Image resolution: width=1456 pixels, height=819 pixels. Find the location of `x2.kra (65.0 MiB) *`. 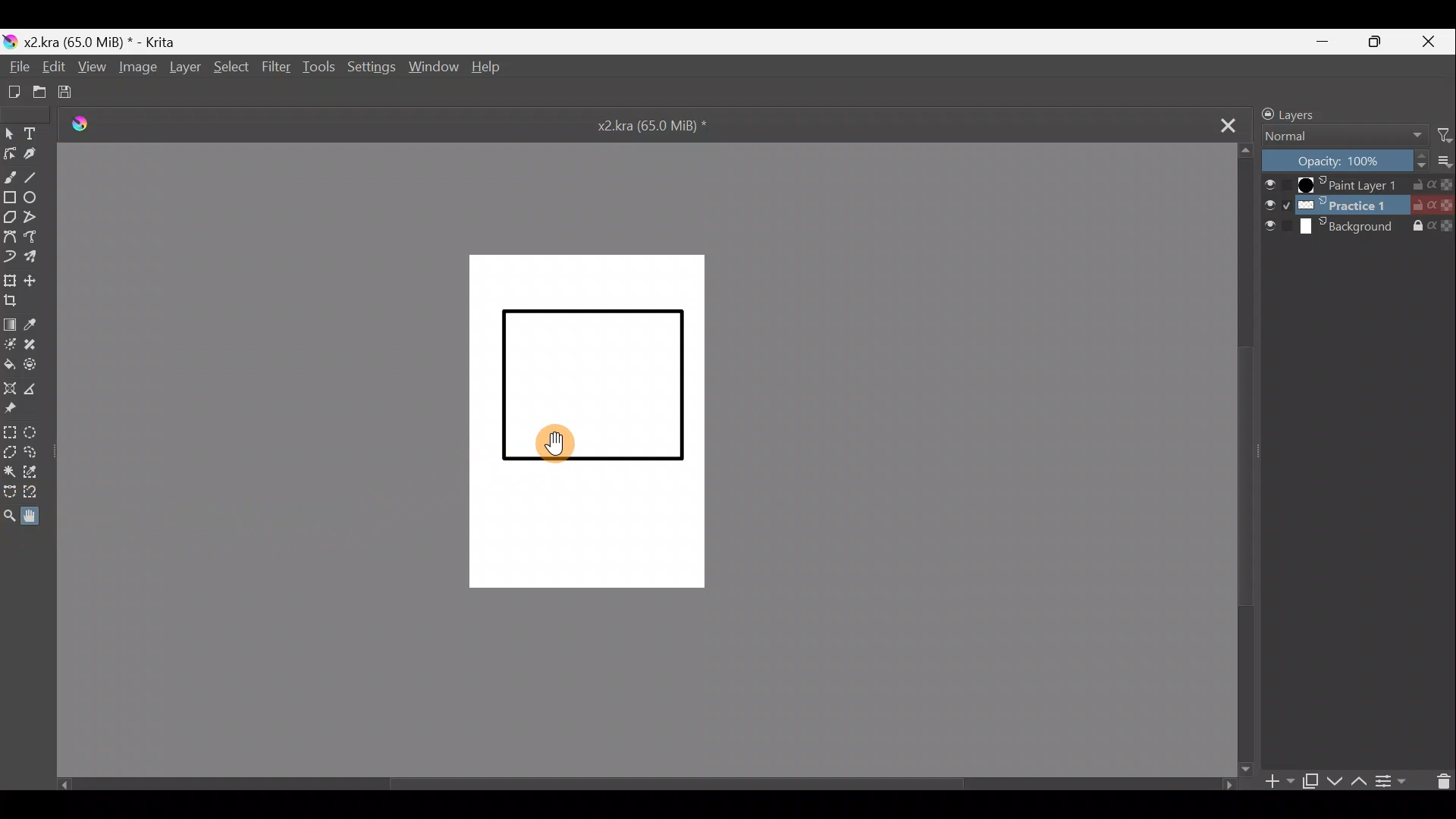

x2.kra (65.0 MiB) * is located at coordinates (664, 124).